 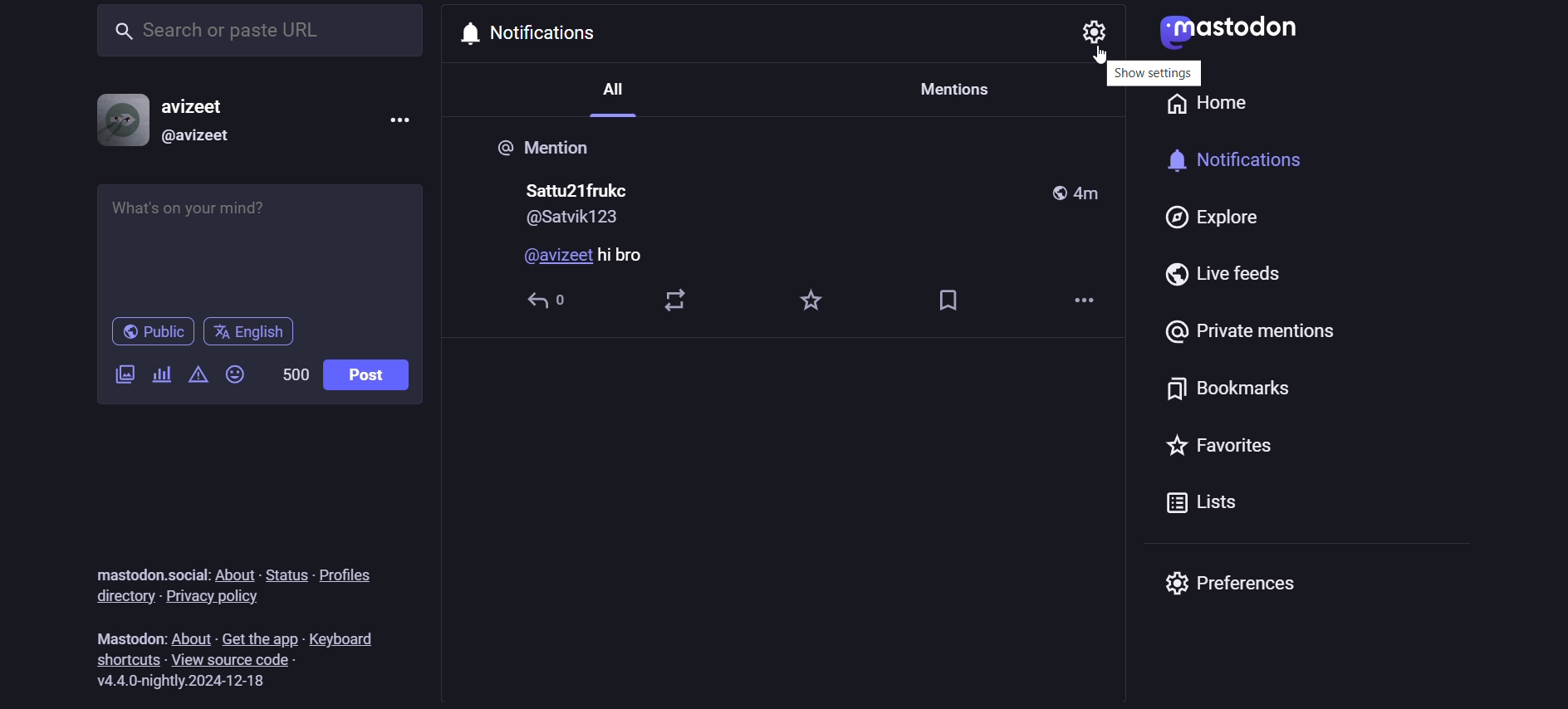 I want to click on global post, so click(x=1056, y=193).